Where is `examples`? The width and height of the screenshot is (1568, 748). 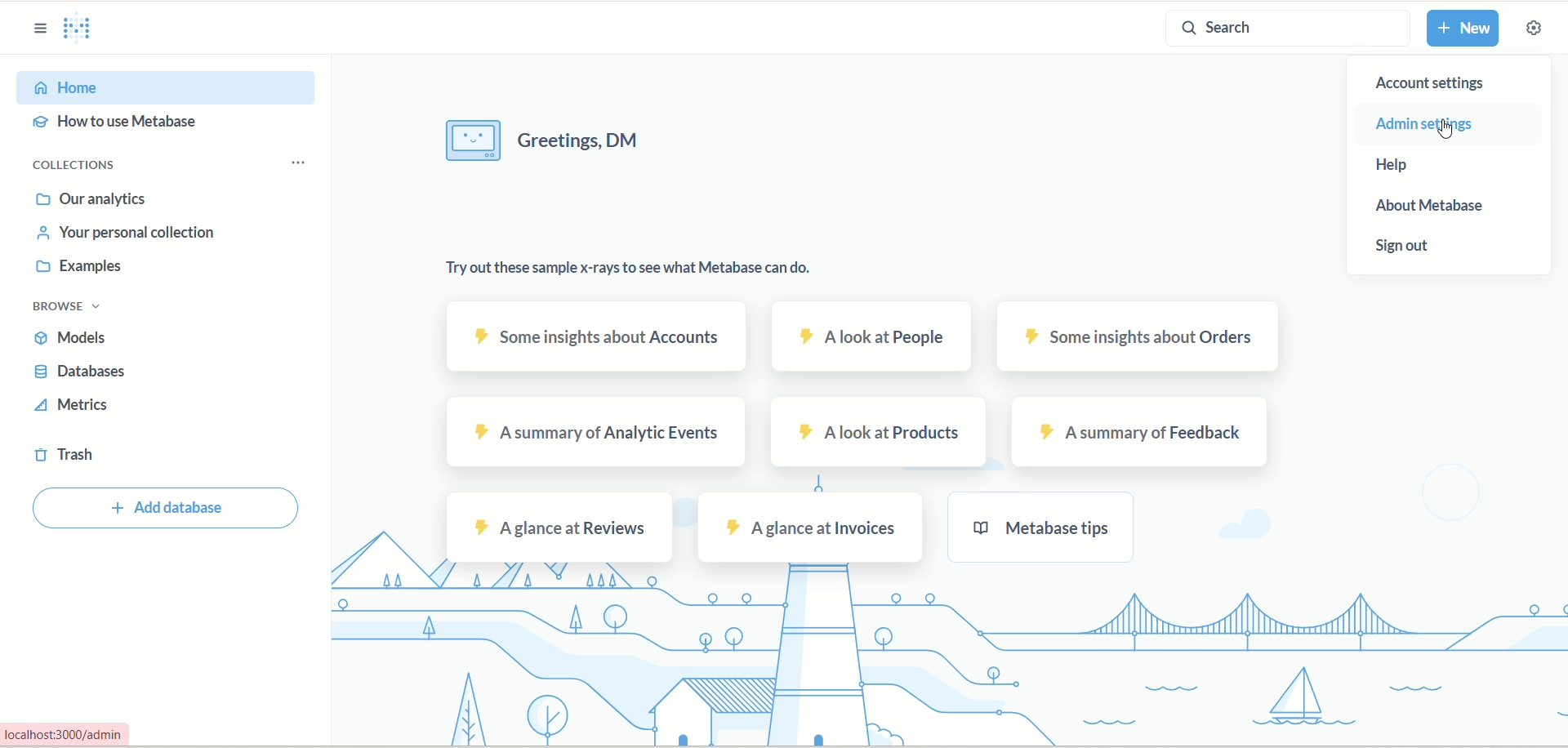 examples is located at coordinates (78, 269).